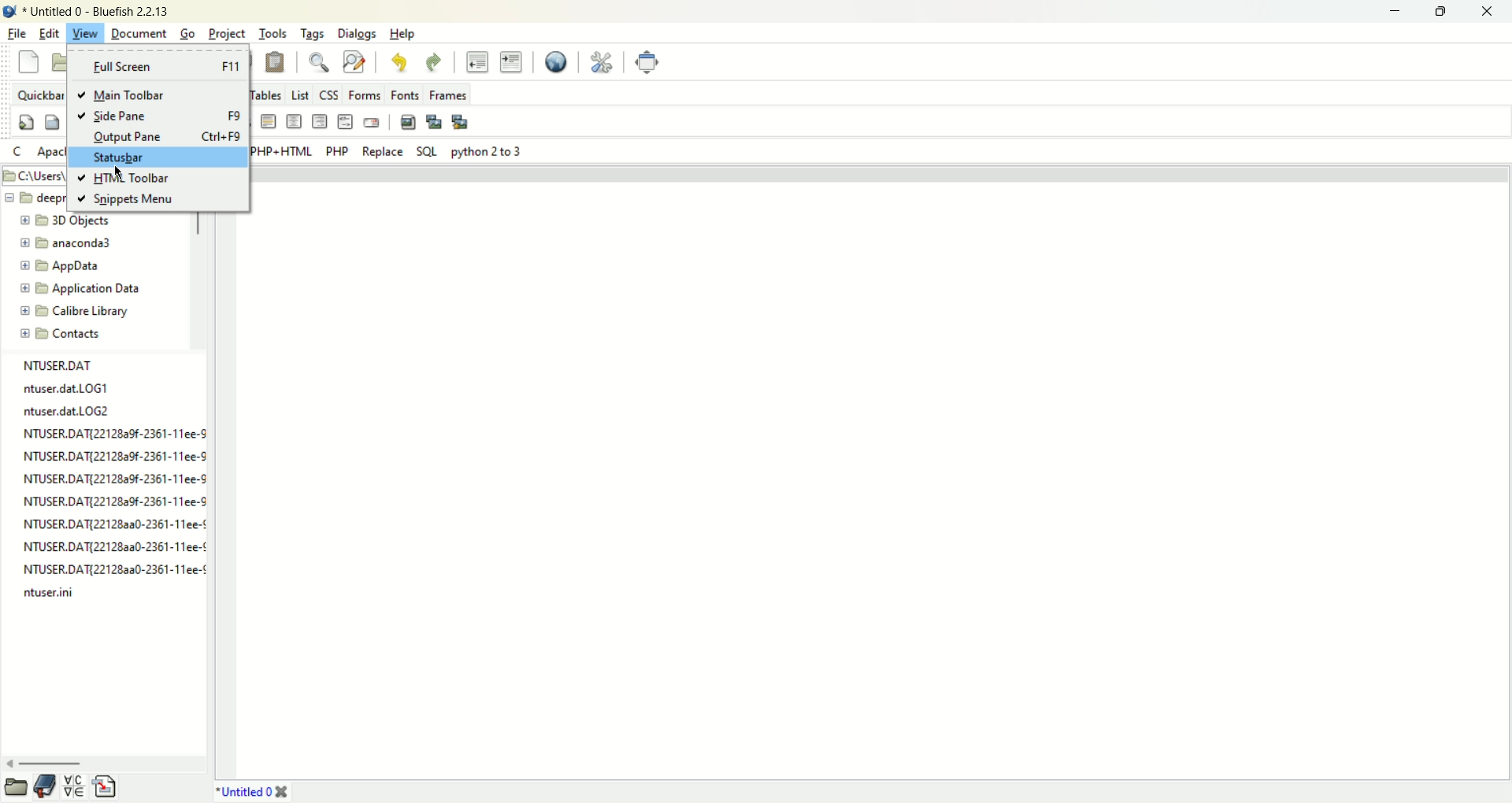  I want to click on ntuser.ini, so click(57, 593).